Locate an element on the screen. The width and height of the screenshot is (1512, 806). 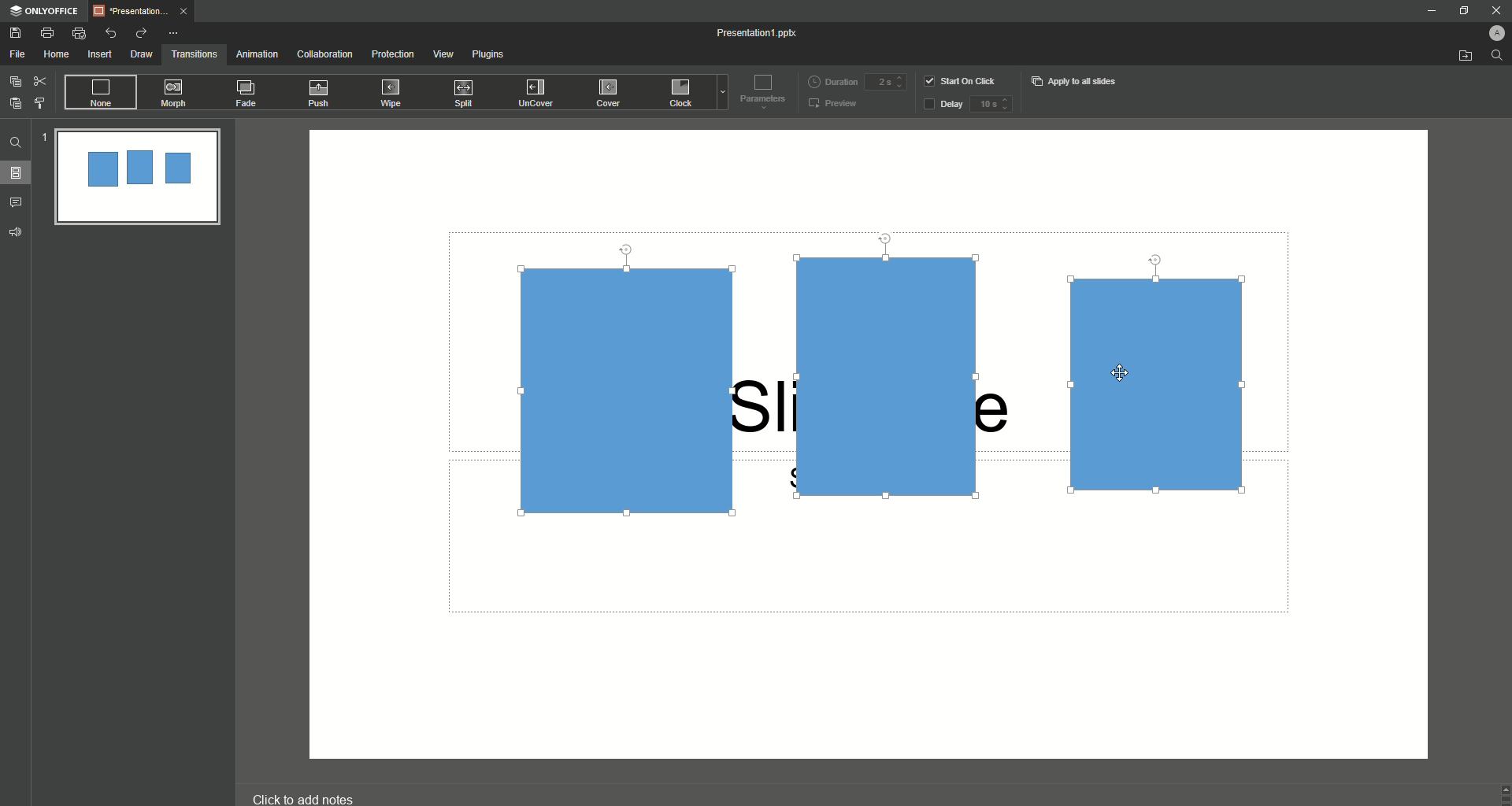
Open from file is located at coordinates (1465, 57).